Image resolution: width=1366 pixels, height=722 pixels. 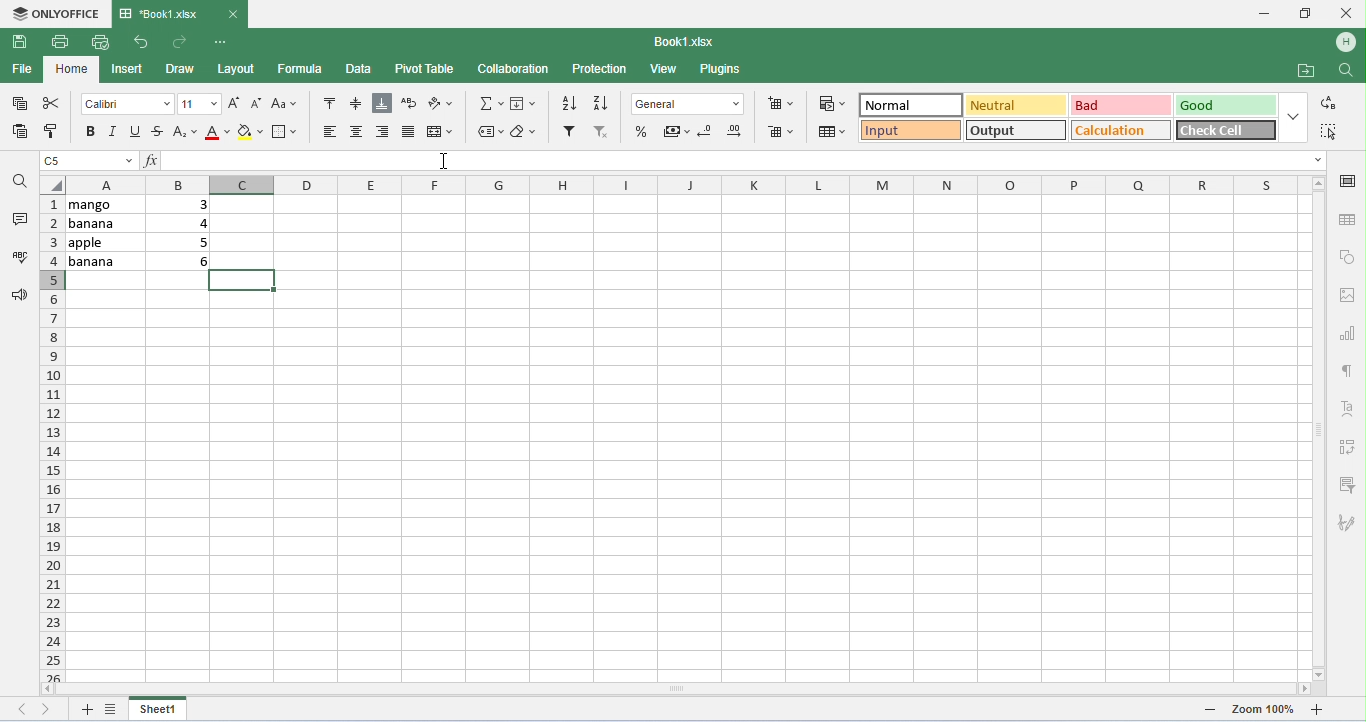 I want to click on fill, so click(x=524, y=105).